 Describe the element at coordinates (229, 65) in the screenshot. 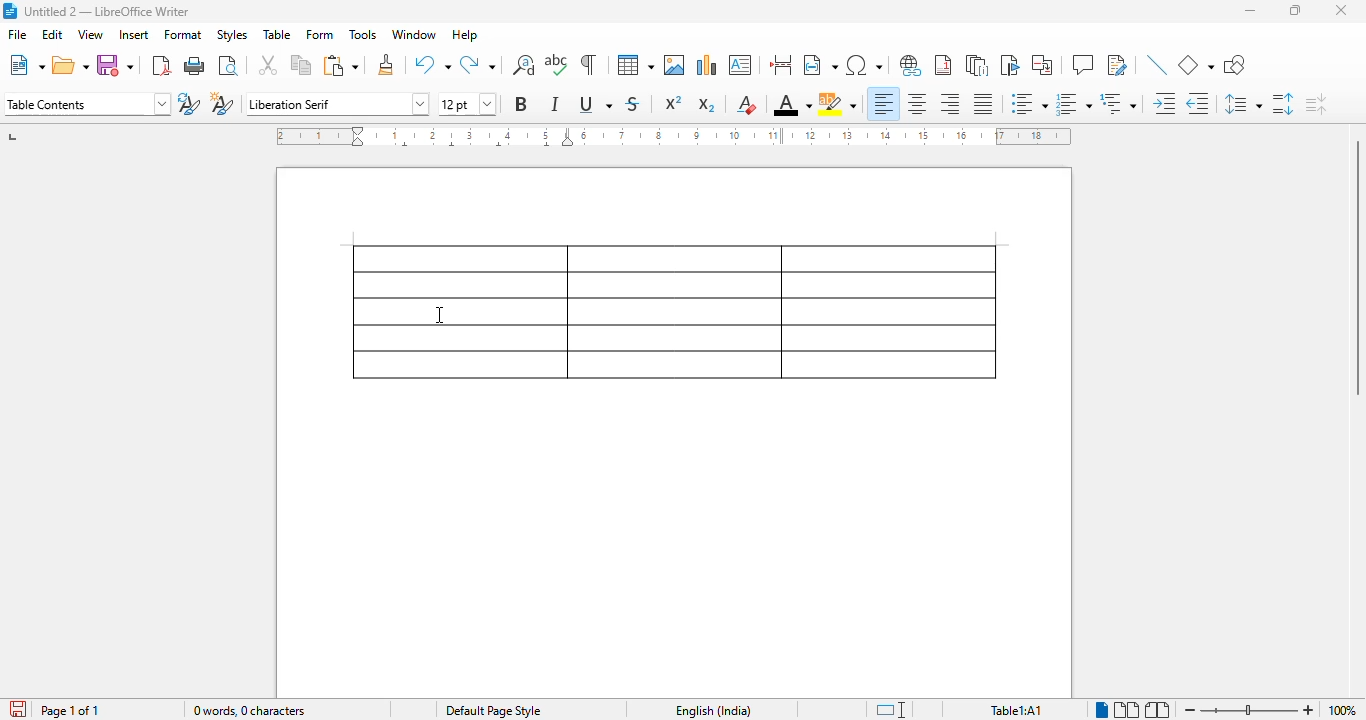

I see `toggle print preview` at that location.